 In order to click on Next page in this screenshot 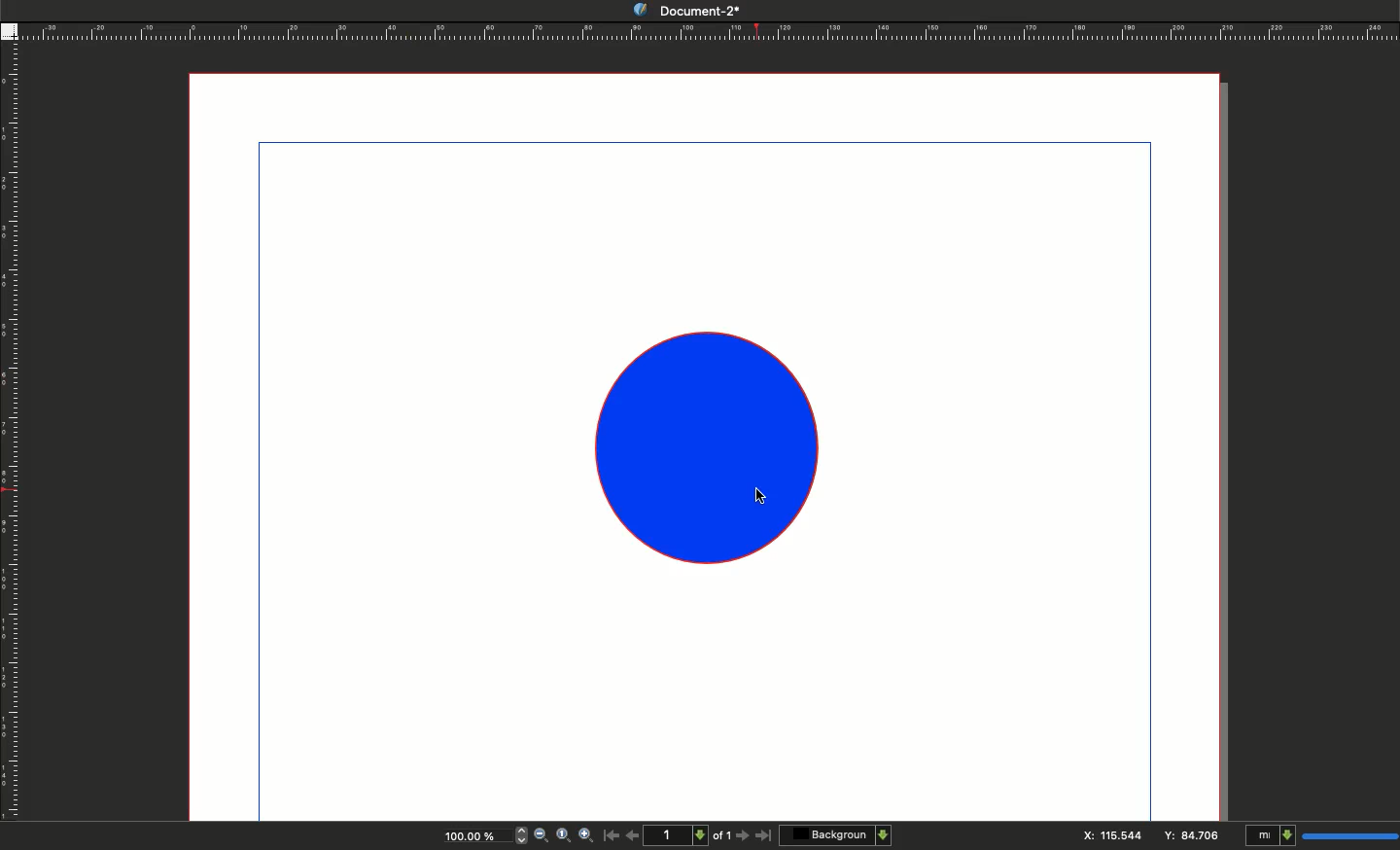, I will do `click(745, 836)`.